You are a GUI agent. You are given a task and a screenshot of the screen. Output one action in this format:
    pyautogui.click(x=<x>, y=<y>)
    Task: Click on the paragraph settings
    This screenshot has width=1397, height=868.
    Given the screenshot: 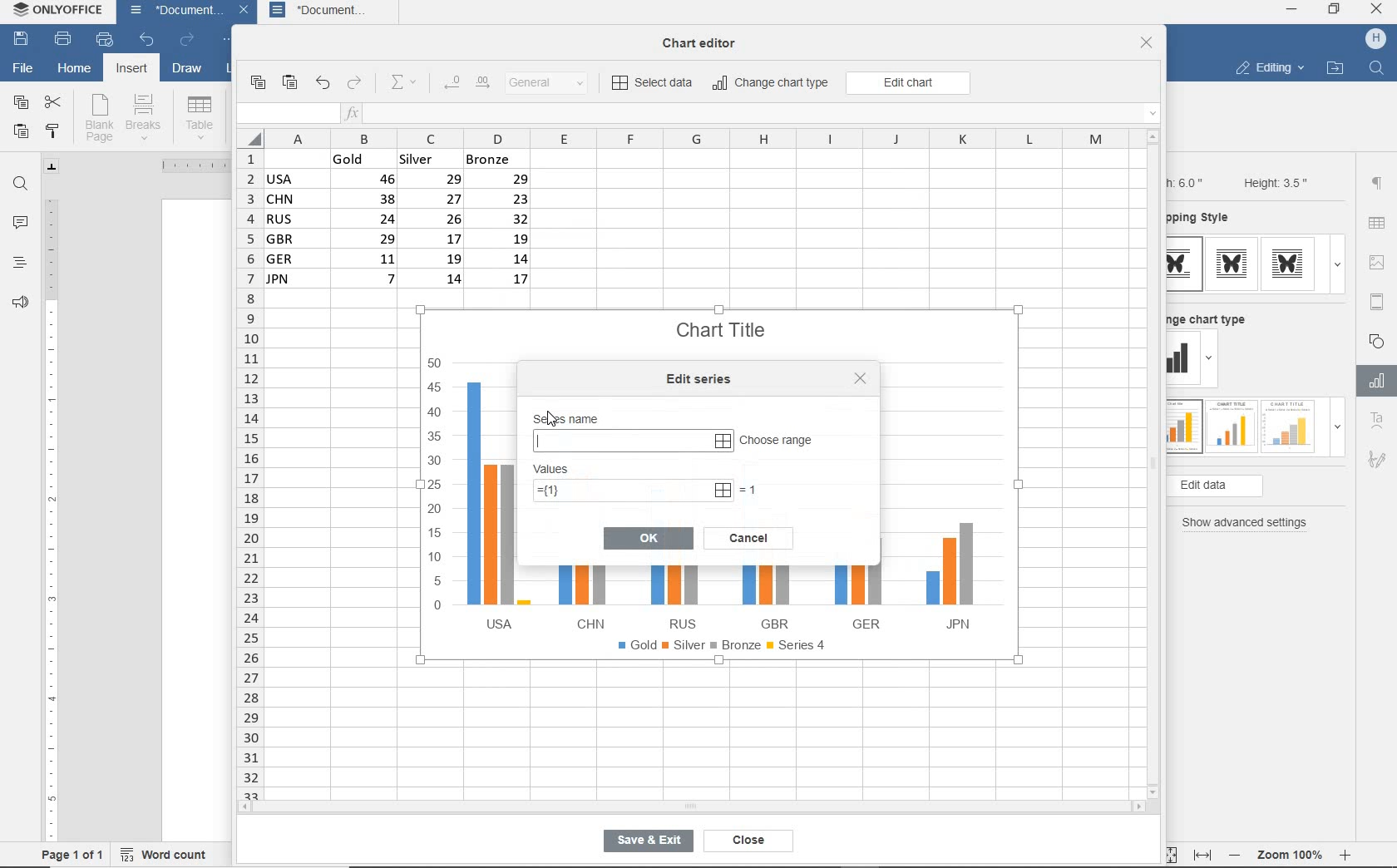 What is the action you would take?
    pyautogui.click(x=1377, y=183)
    